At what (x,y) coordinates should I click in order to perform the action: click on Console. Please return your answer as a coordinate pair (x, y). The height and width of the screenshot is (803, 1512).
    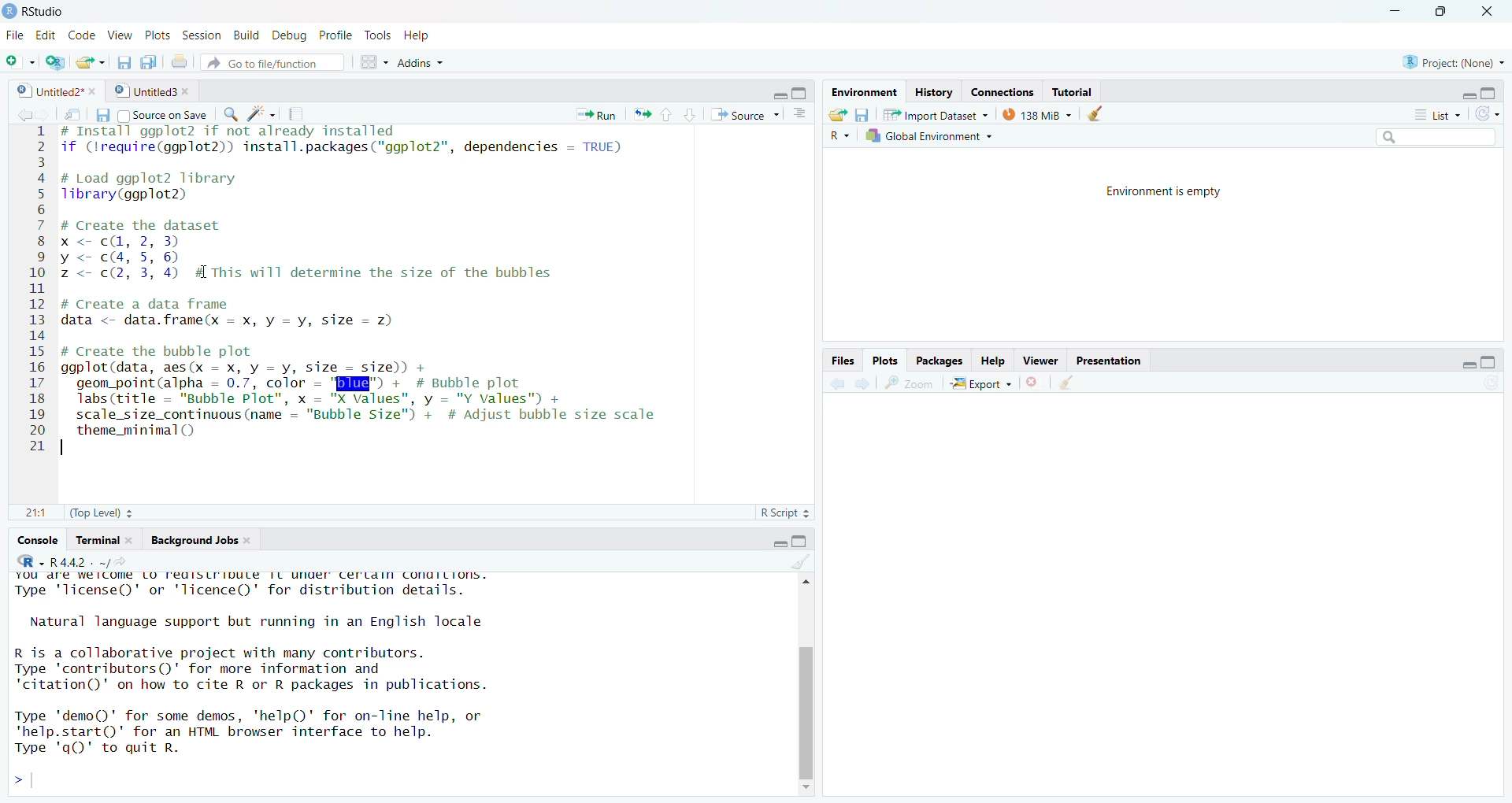
    Looking at the image, I should click on (37, 539).